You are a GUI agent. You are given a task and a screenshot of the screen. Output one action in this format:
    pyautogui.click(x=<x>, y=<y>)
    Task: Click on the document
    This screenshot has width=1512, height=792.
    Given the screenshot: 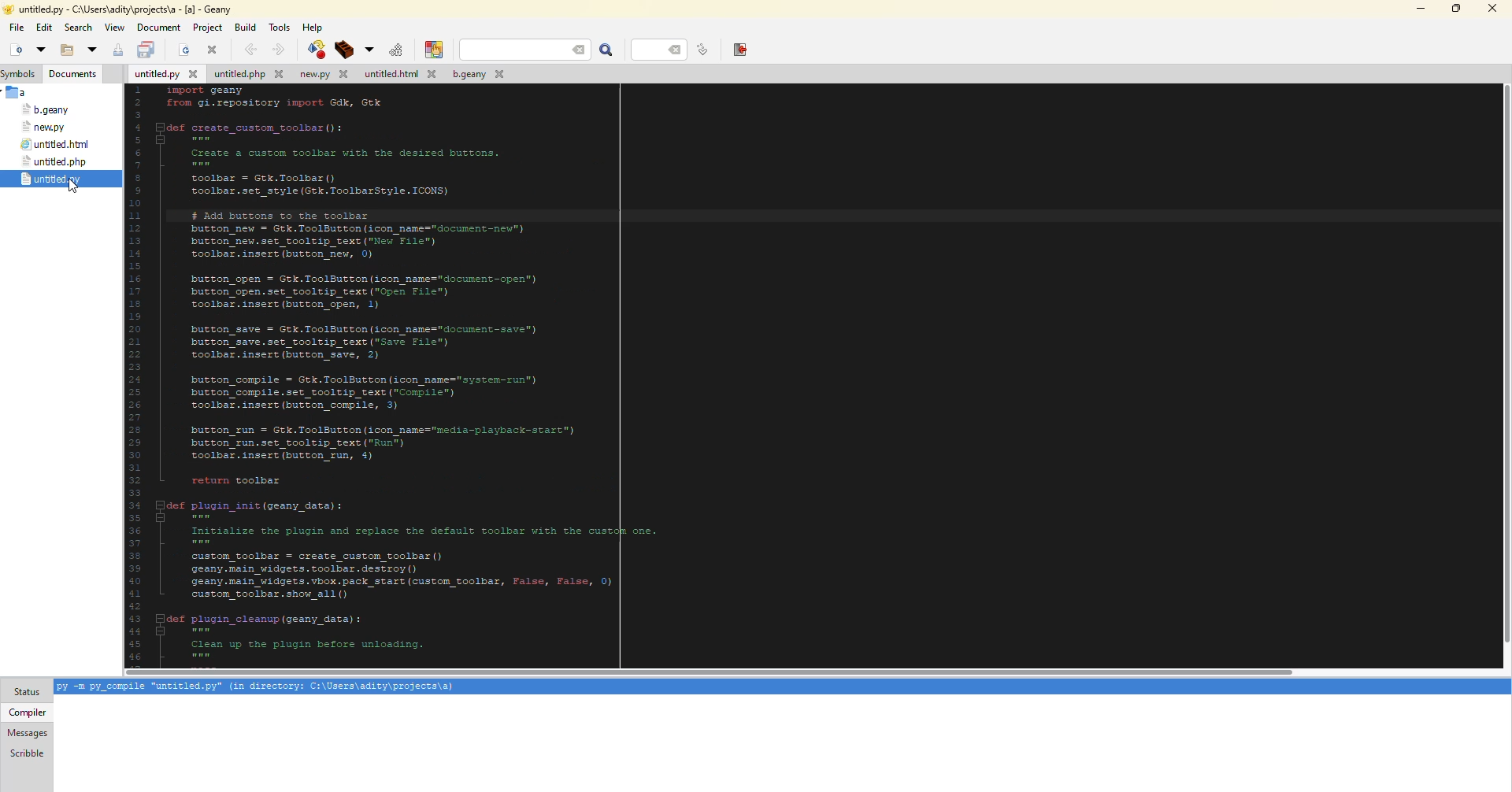 What is the action you would take?
    pyautogui.click(x=72, y=75)
    